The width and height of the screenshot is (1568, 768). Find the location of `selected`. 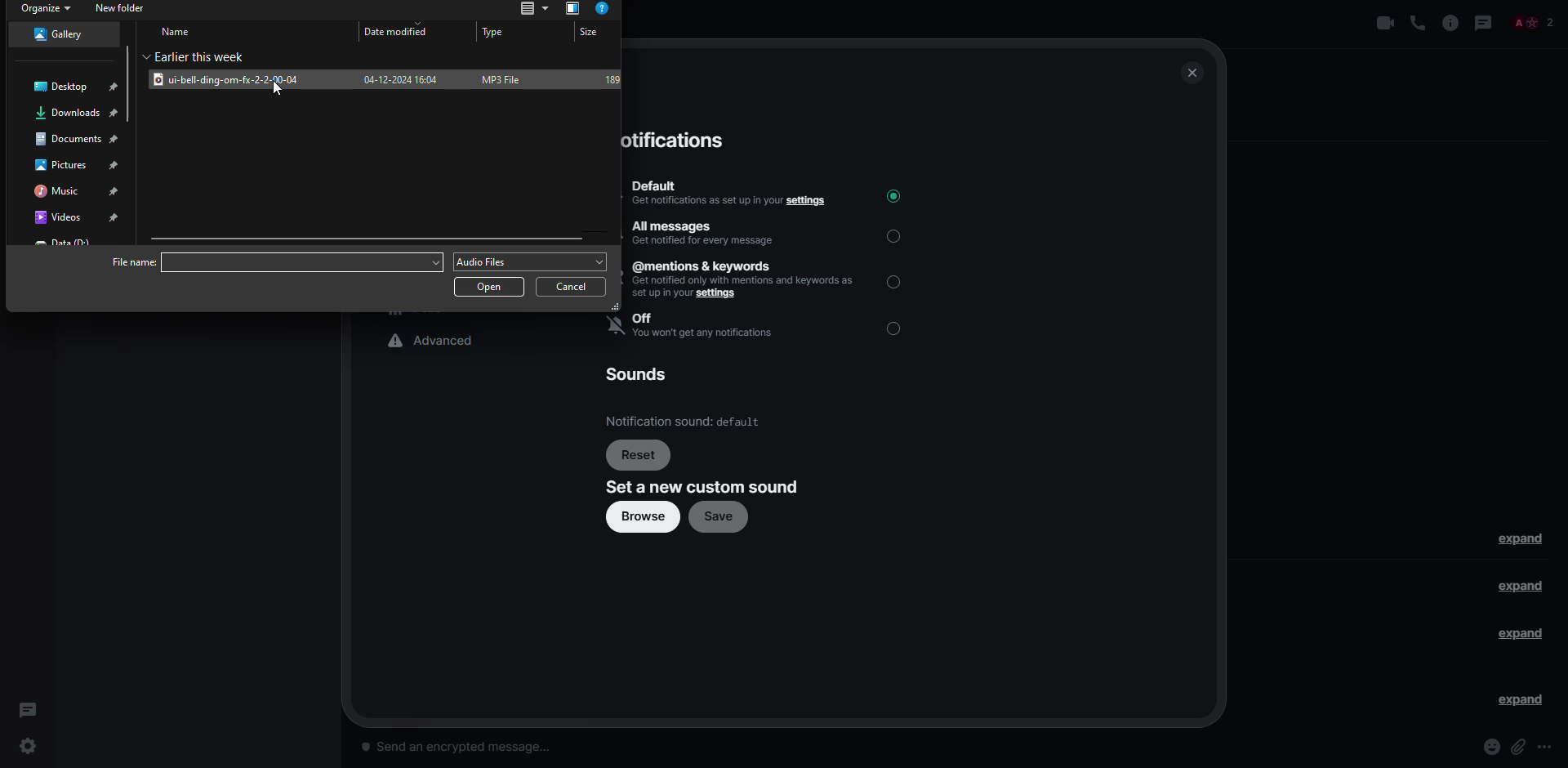

selected is located at coordinates (893, 195).